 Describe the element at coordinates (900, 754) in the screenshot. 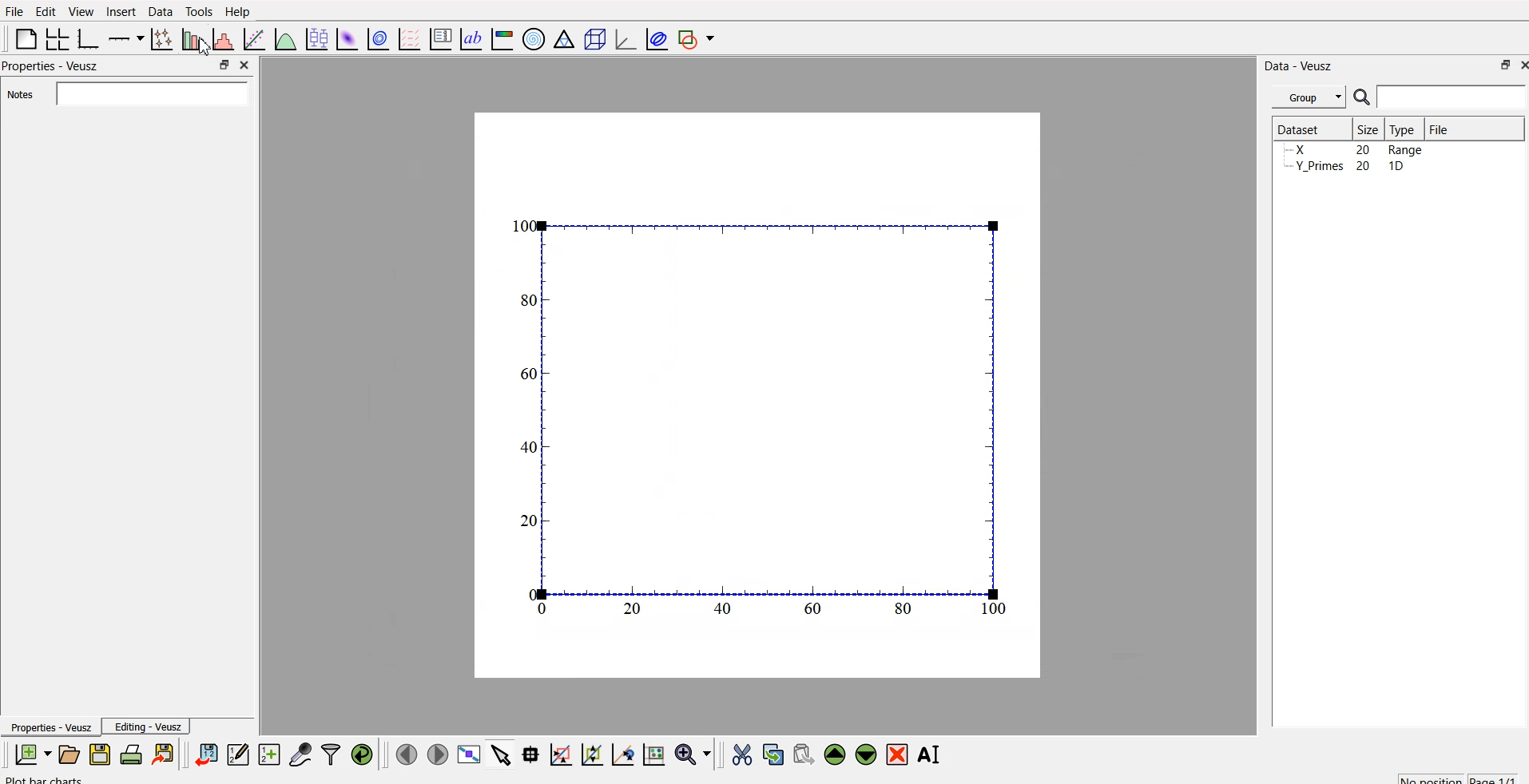

I see `remove the selected widget` at that location.